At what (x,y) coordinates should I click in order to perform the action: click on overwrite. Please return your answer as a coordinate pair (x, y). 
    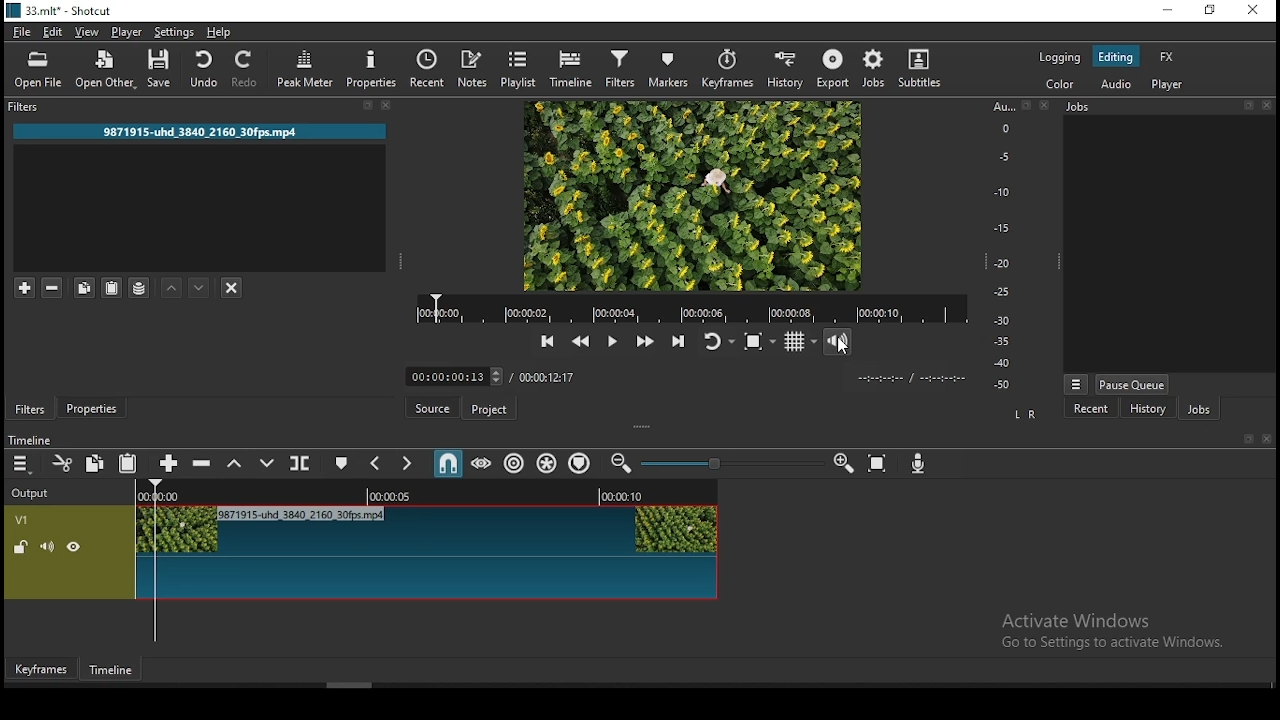
    Looking at the image, I should click on (267, 465).